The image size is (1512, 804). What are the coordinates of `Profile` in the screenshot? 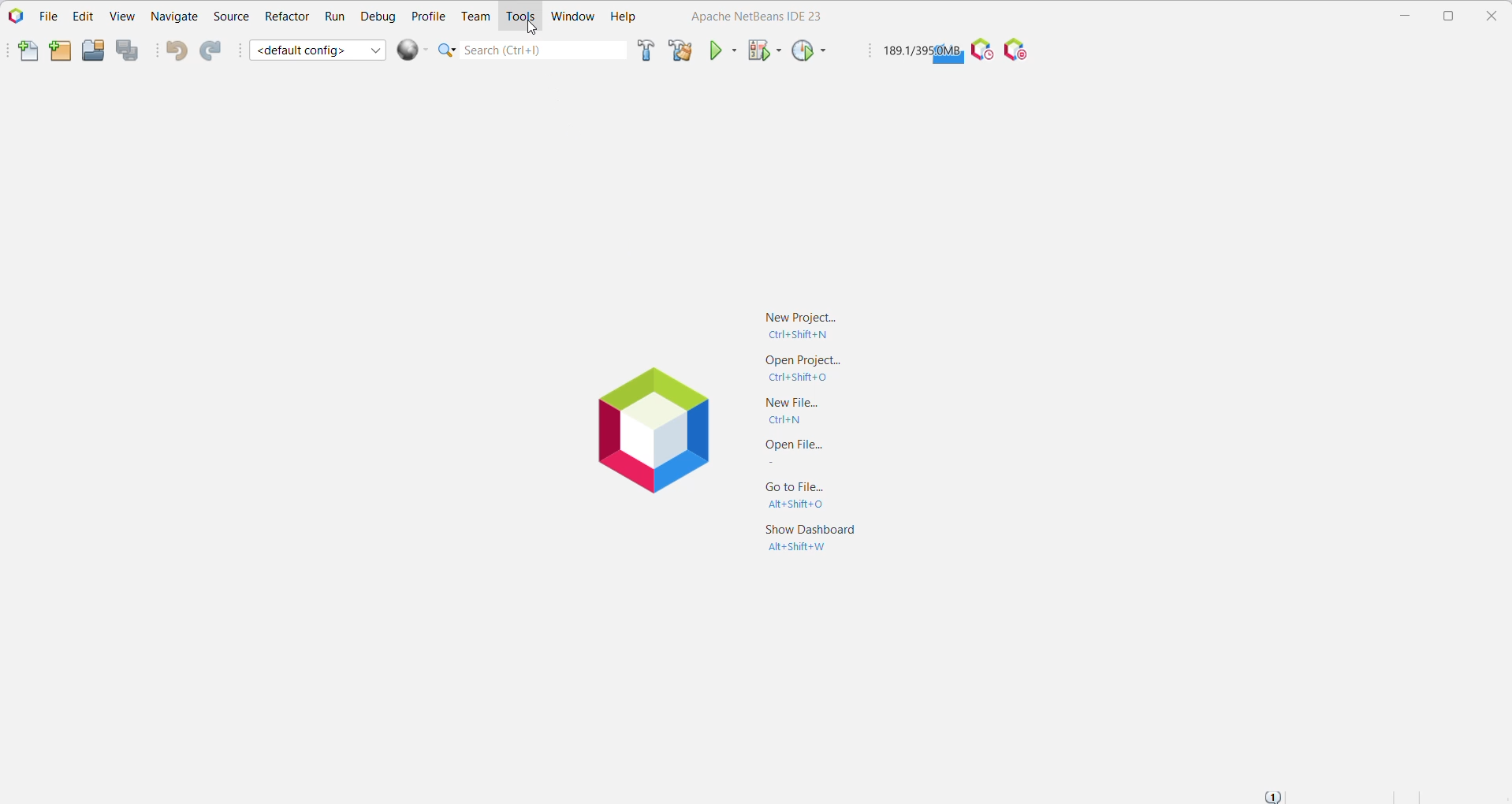 It's located at (429, 15).